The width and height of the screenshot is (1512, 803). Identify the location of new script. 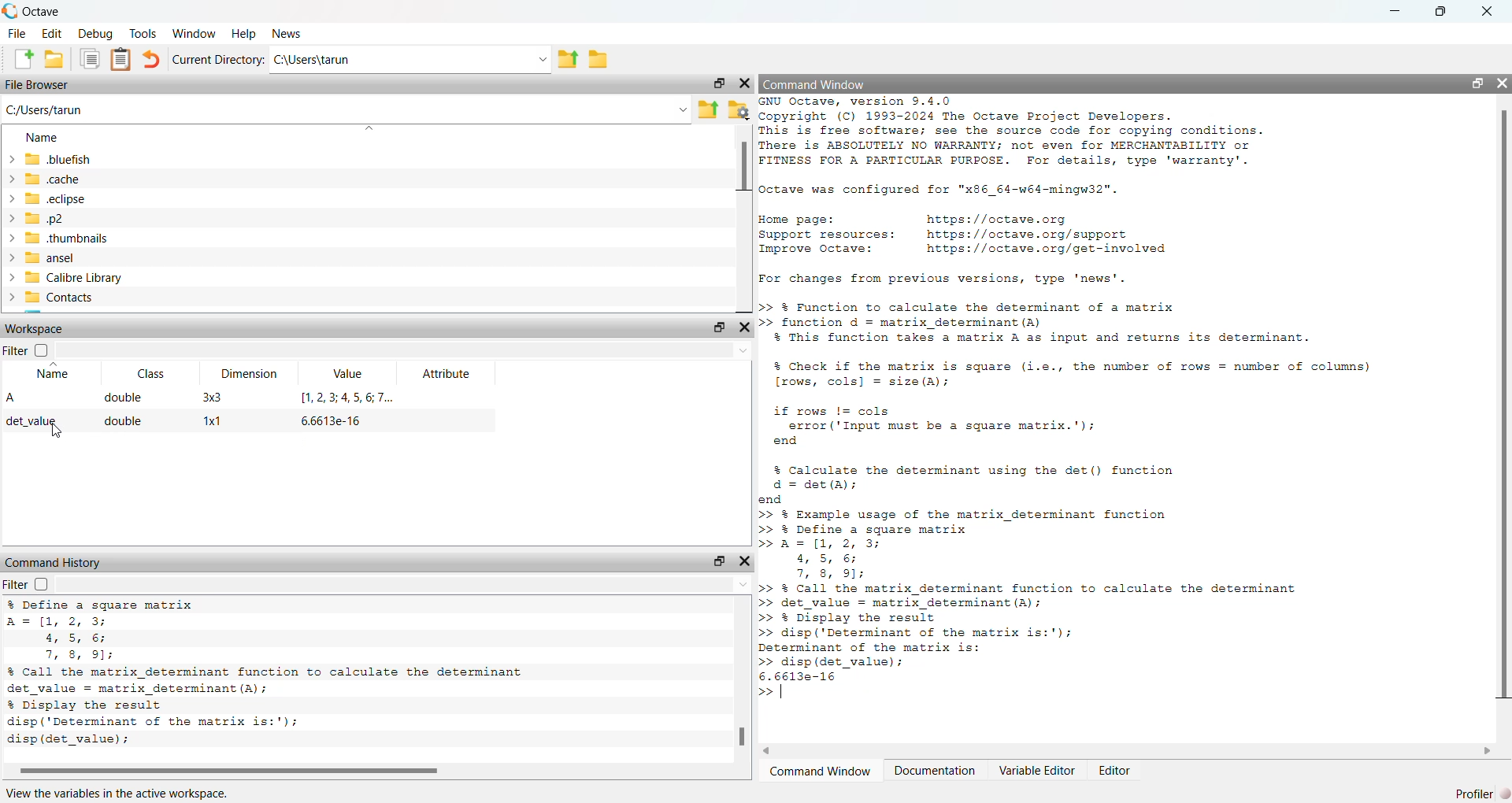
(24, 60).